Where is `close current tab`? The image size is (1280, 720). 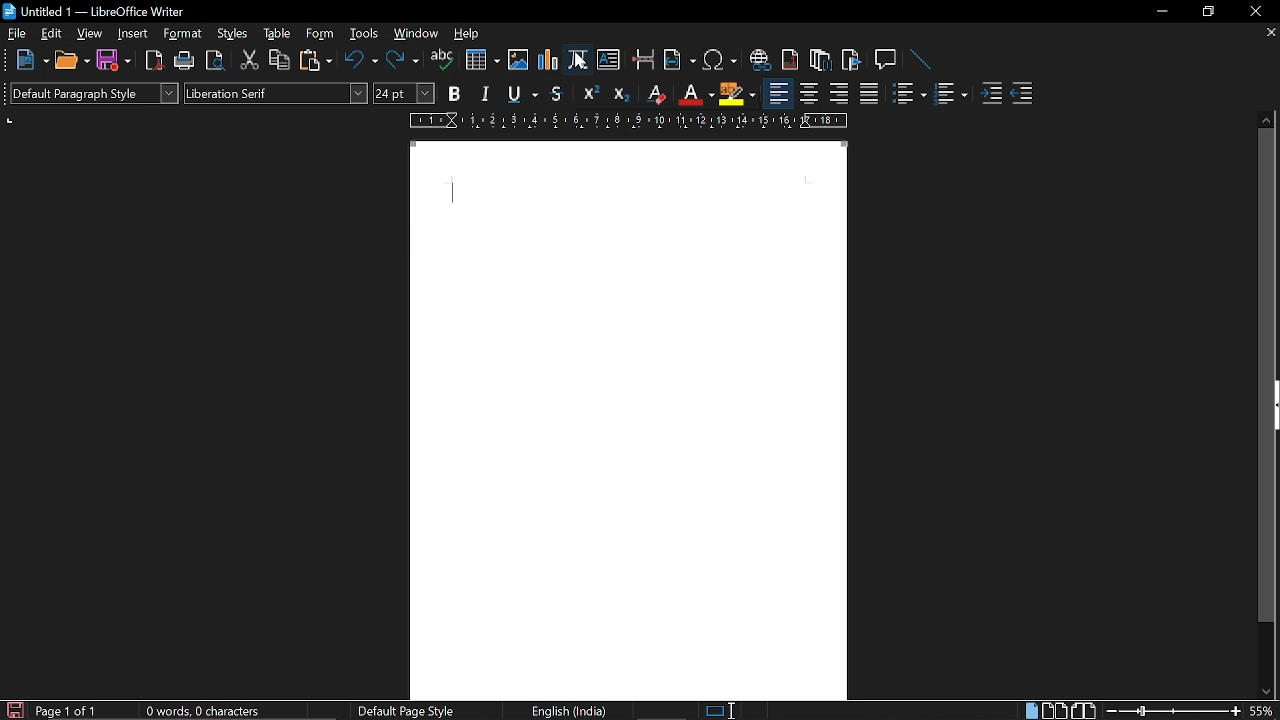
close current tab is located at coordinates (1269, 33).